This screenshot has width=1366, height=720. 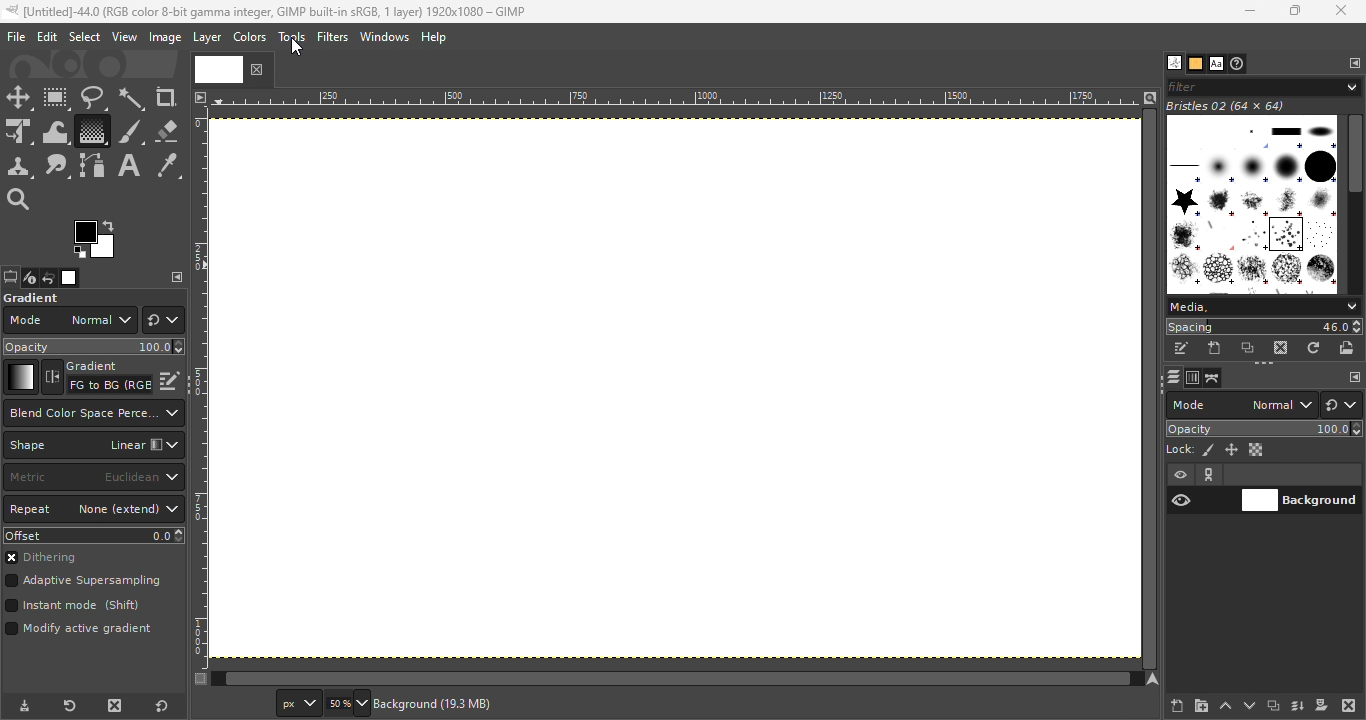 I want to click on untitled -36.0 (rgb color 8-bit gamma integer , gimp built in stgb, 1 layer) 1174x788 - gimp, so click(x=265, y=11).